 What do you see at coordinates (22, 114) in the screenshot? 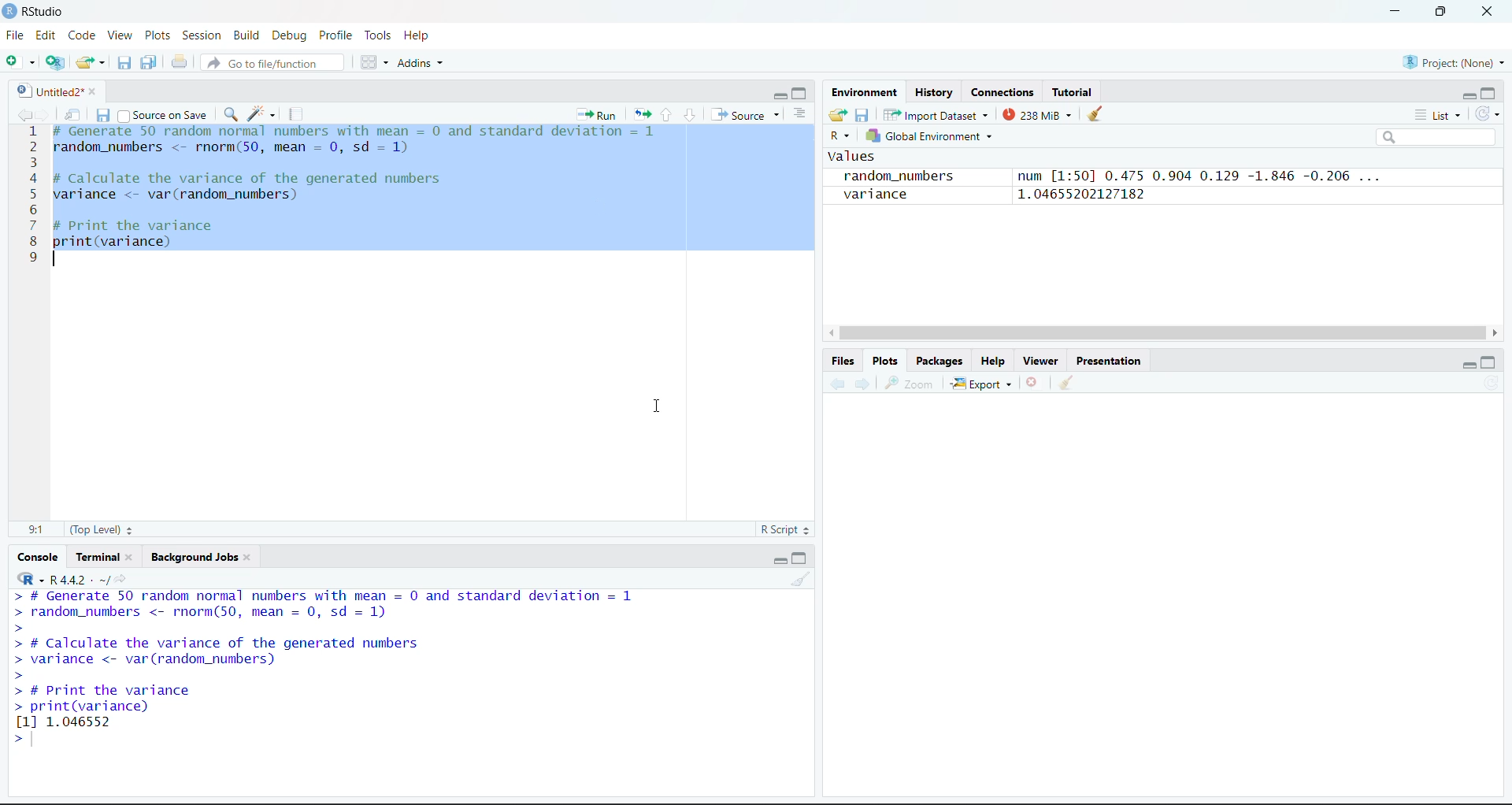
I see `back` at bounding box center [22, 114].